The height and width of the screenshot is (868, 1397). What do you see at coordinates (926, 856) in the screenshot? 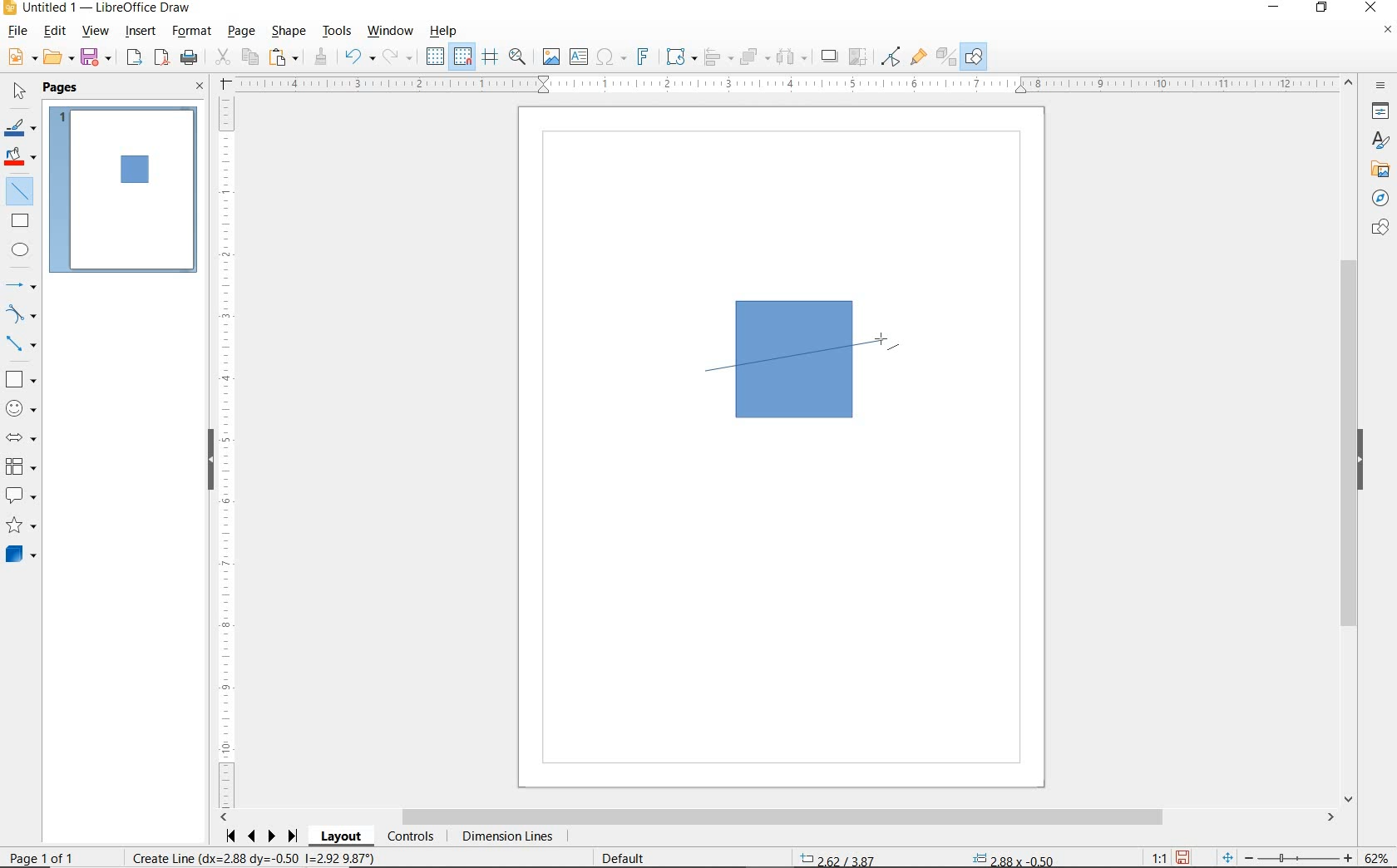
I see `STANDARD SELECTION` at bounding box center [926, 856].